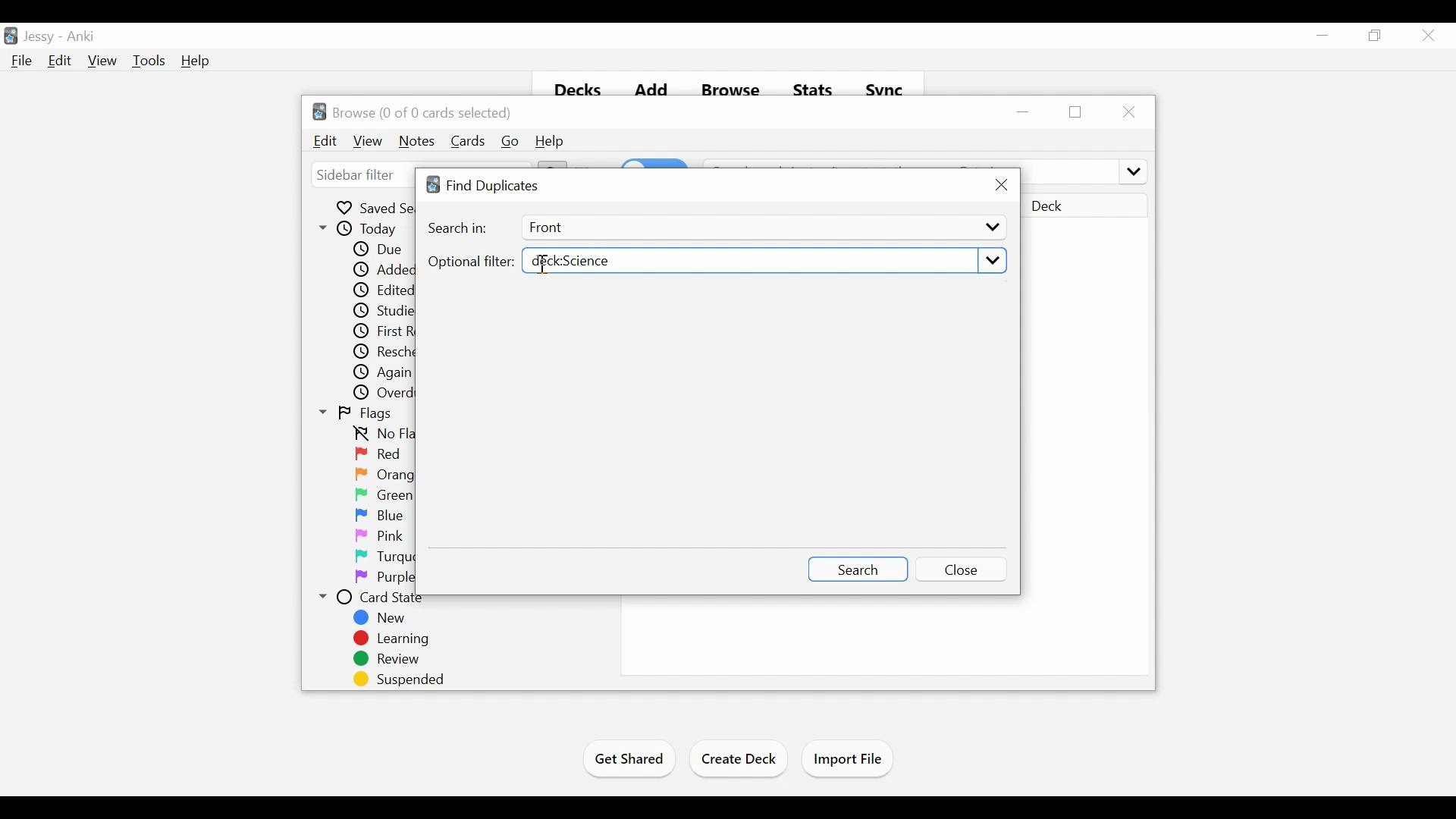  I want to click on Close, so click(1000, 185).